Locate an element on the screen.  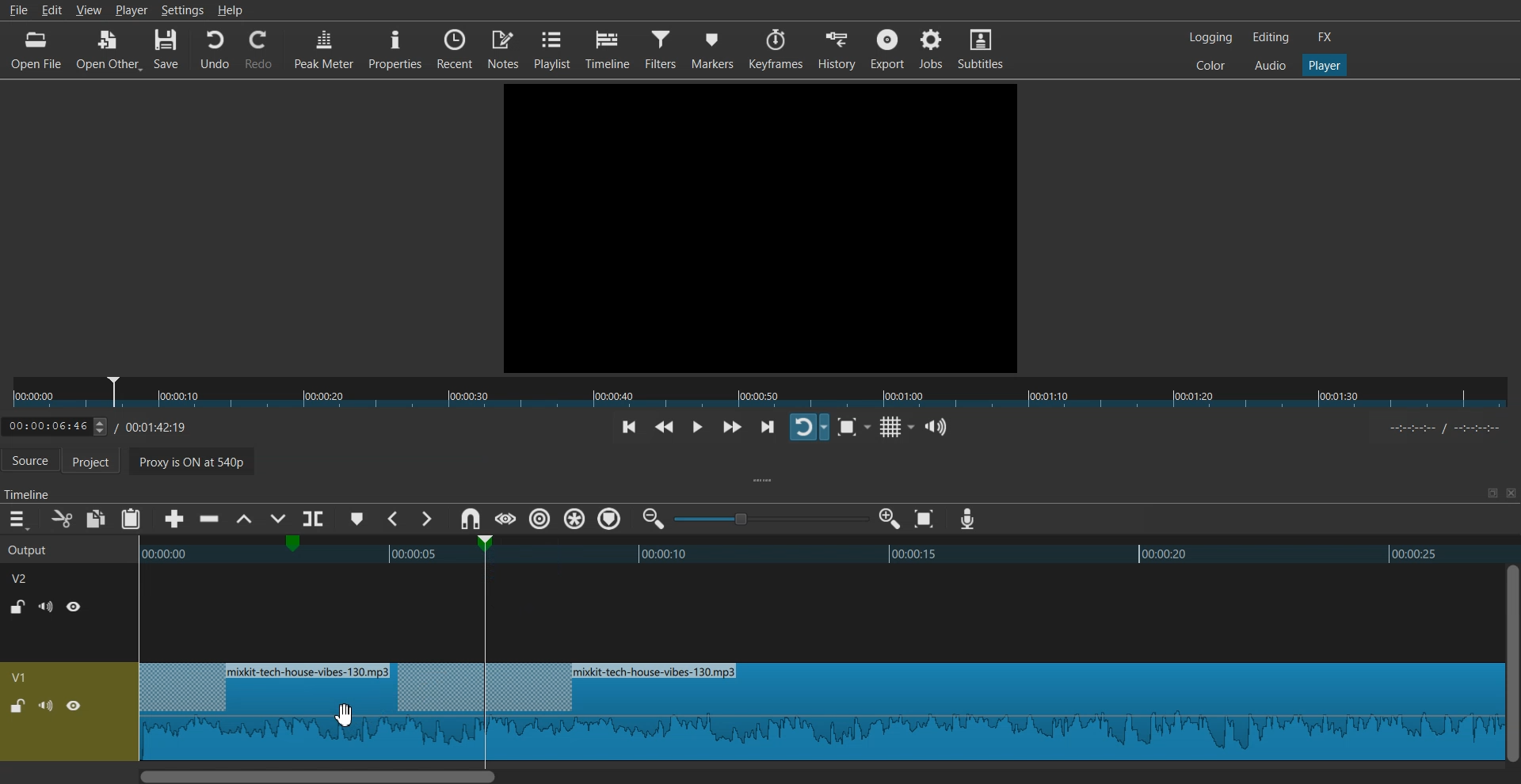
Play quickly forwards is located at coordinates (732, 427).